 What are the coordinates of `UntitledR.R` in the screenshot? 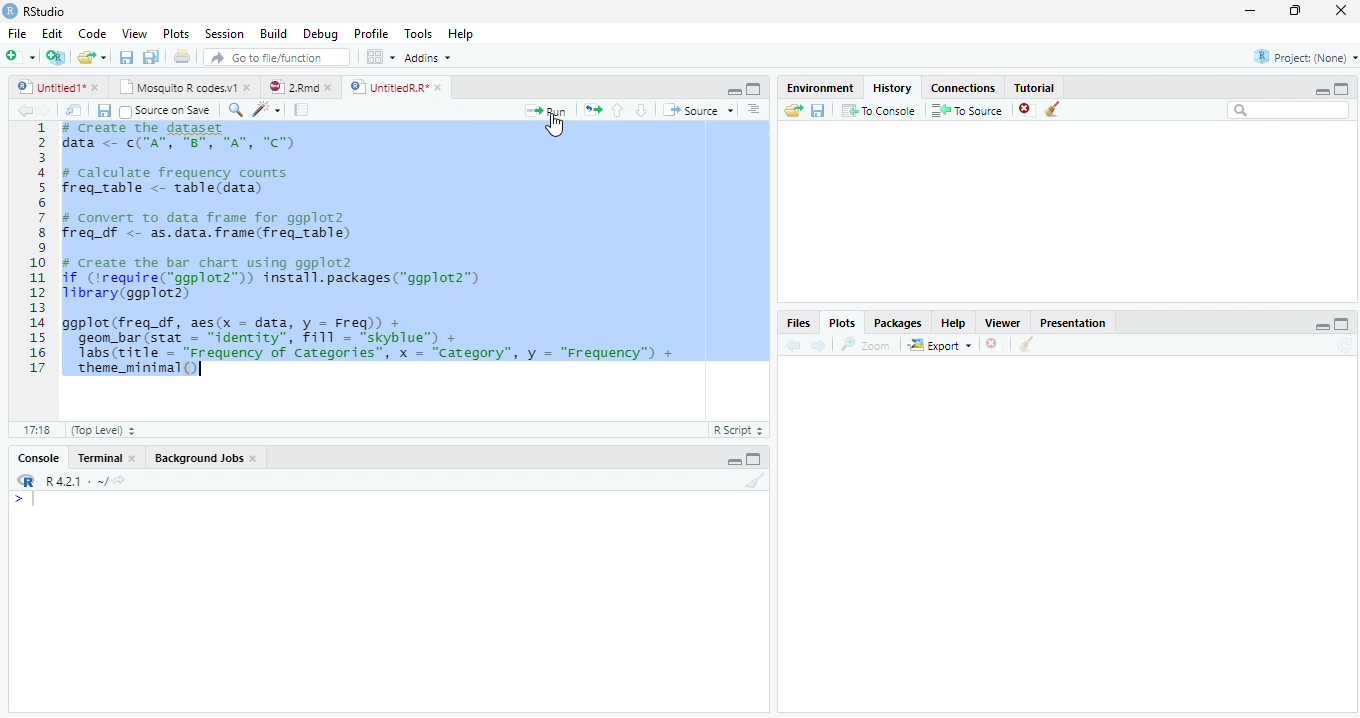 It's located at (396, 86).